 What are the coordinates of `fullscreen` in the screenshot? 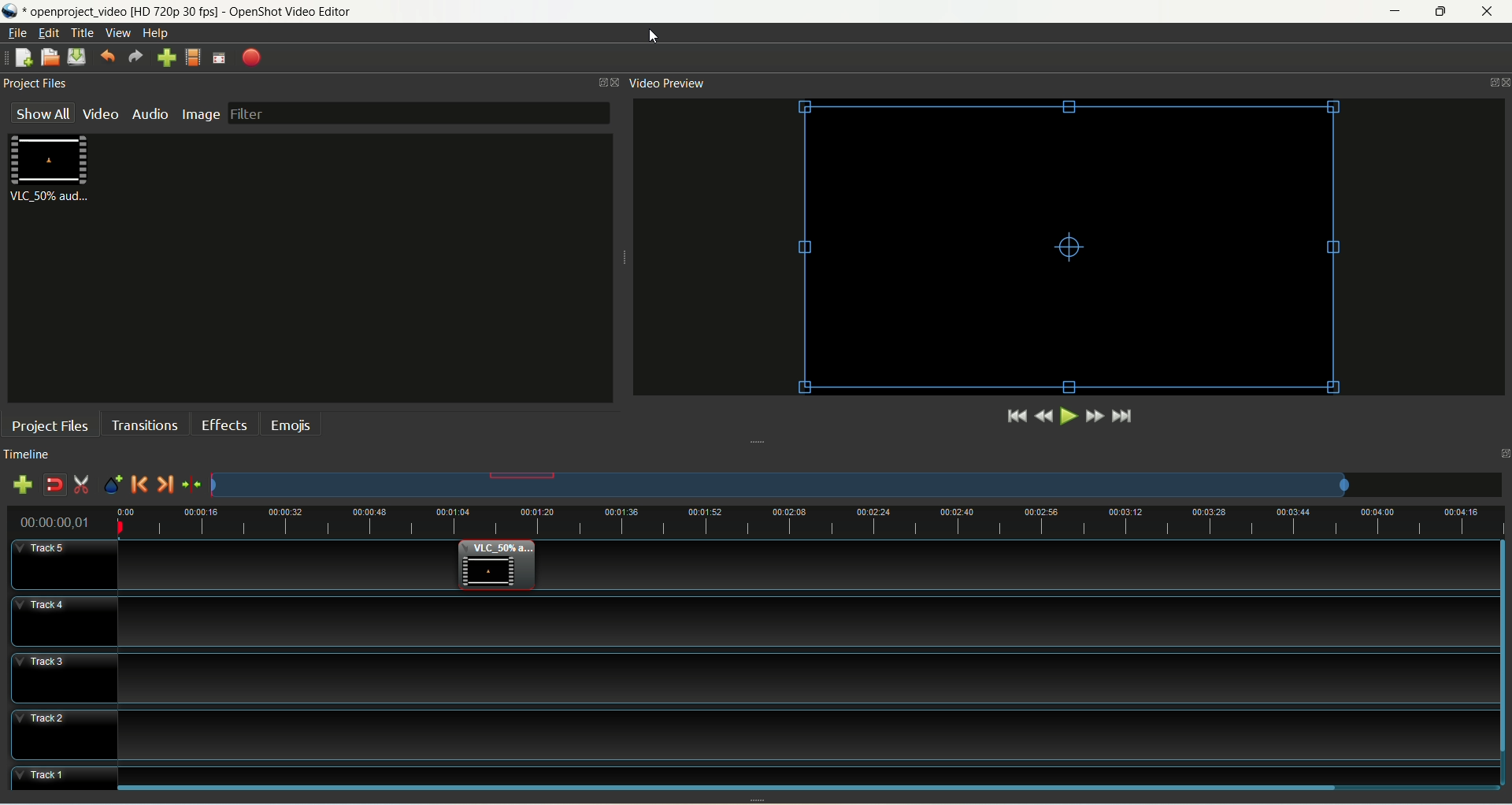 It's located at (220, 58).